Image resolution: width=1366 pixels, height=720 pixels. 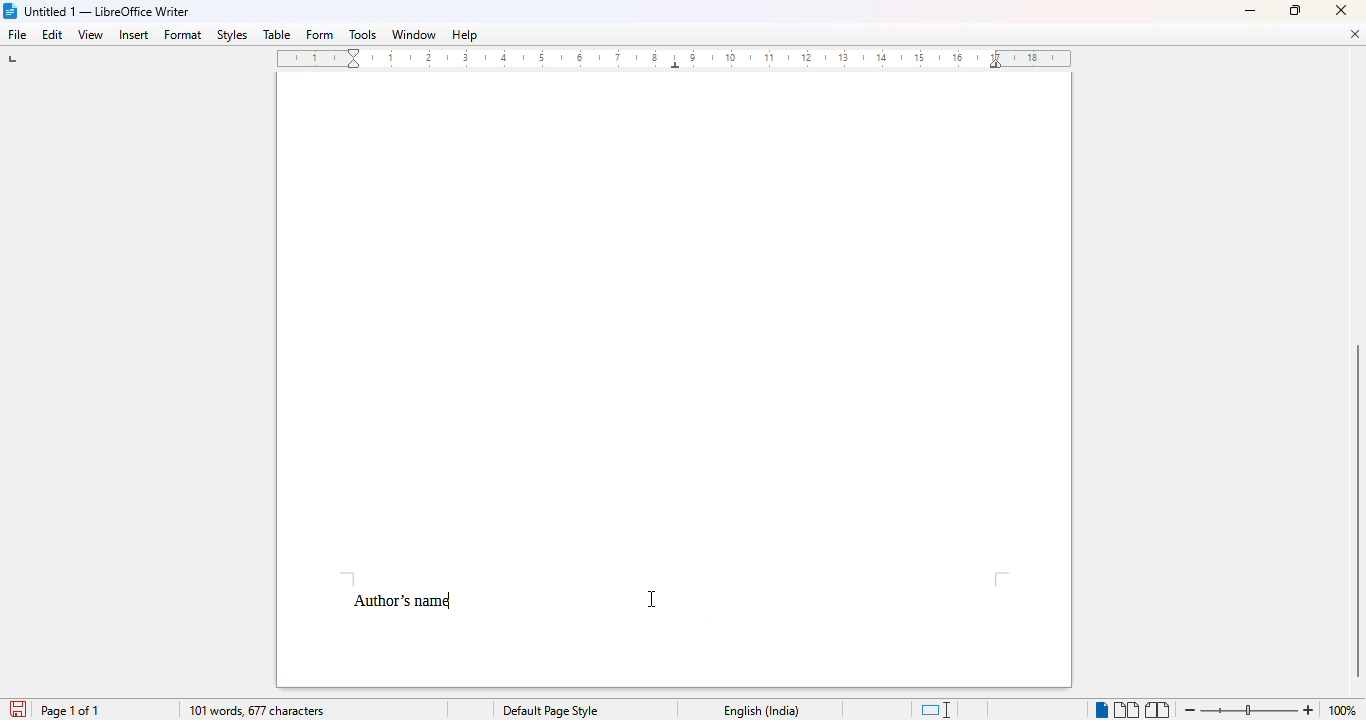 What do you see at coordinates (70, 710) in the screenshot?
I see `page 1 of 1` at bounding box center [70, 710].